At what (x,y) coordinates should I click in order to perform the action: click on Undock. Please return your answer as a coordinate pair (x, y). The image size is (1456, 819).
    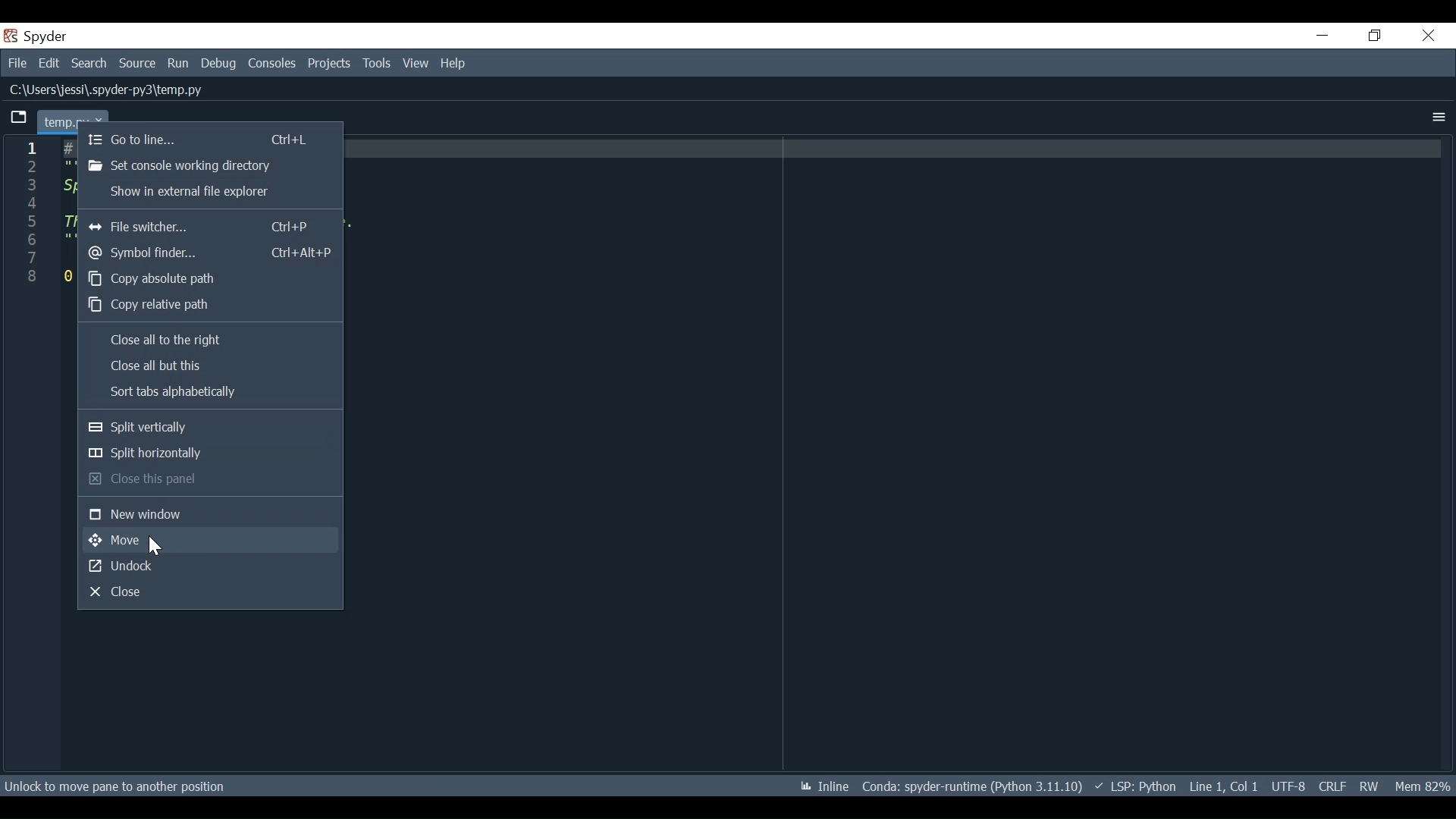
    Looking at the image, I should click on (210, 567).